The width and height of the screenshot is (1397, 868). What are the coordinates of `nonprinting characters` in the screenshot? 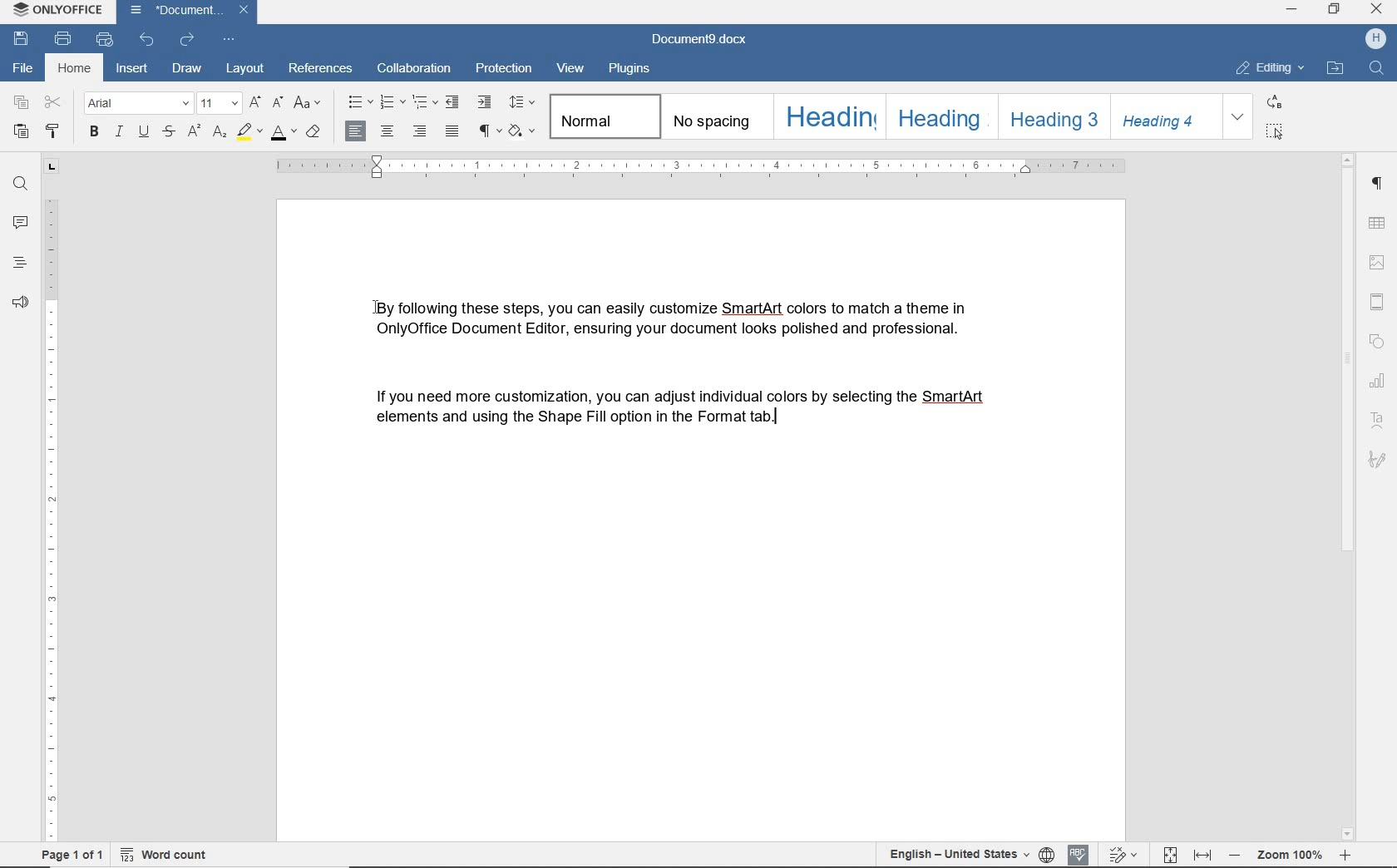 It's located at (490, 132).